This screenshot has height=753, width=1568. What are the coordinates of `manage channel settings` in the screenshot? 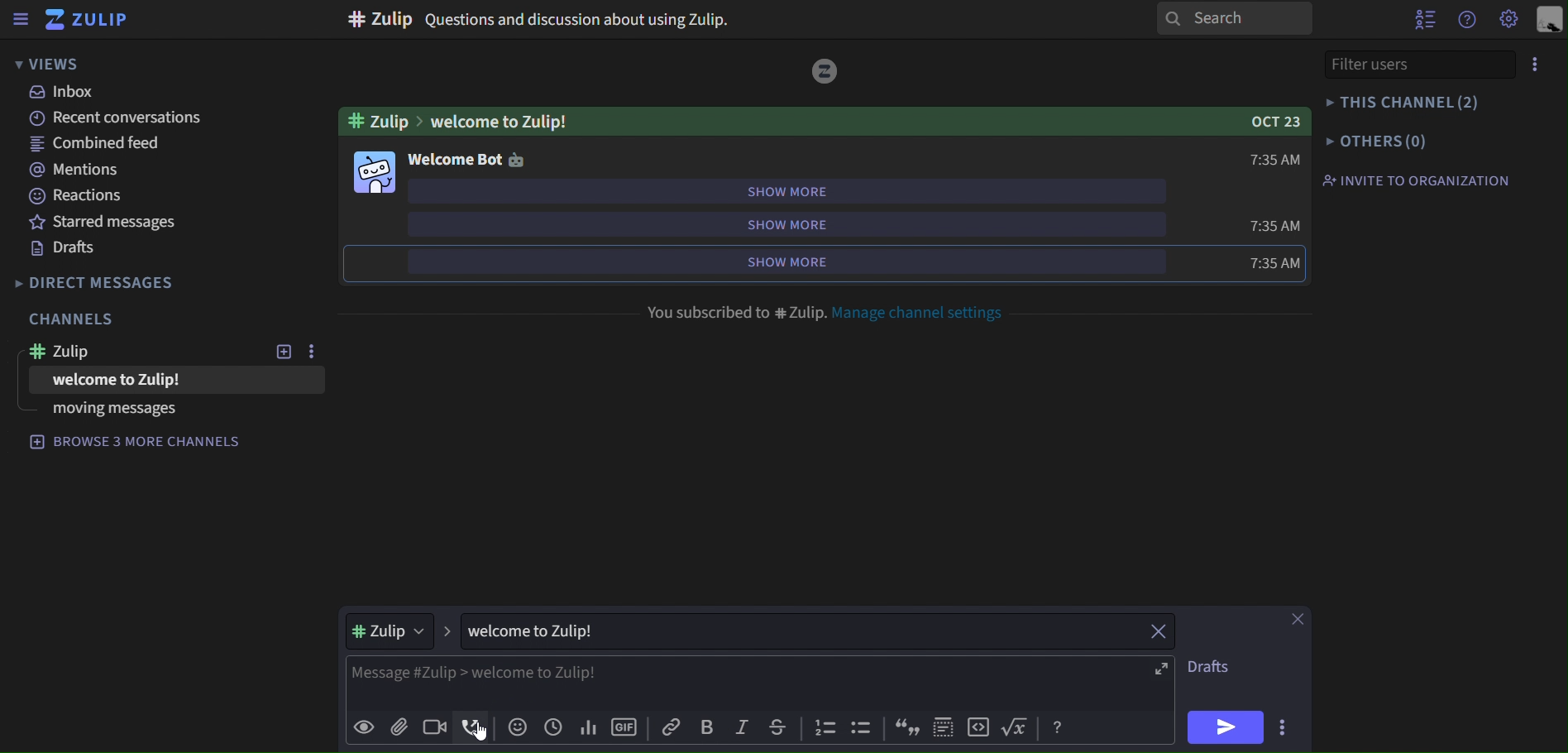 It's located at (927, 312).